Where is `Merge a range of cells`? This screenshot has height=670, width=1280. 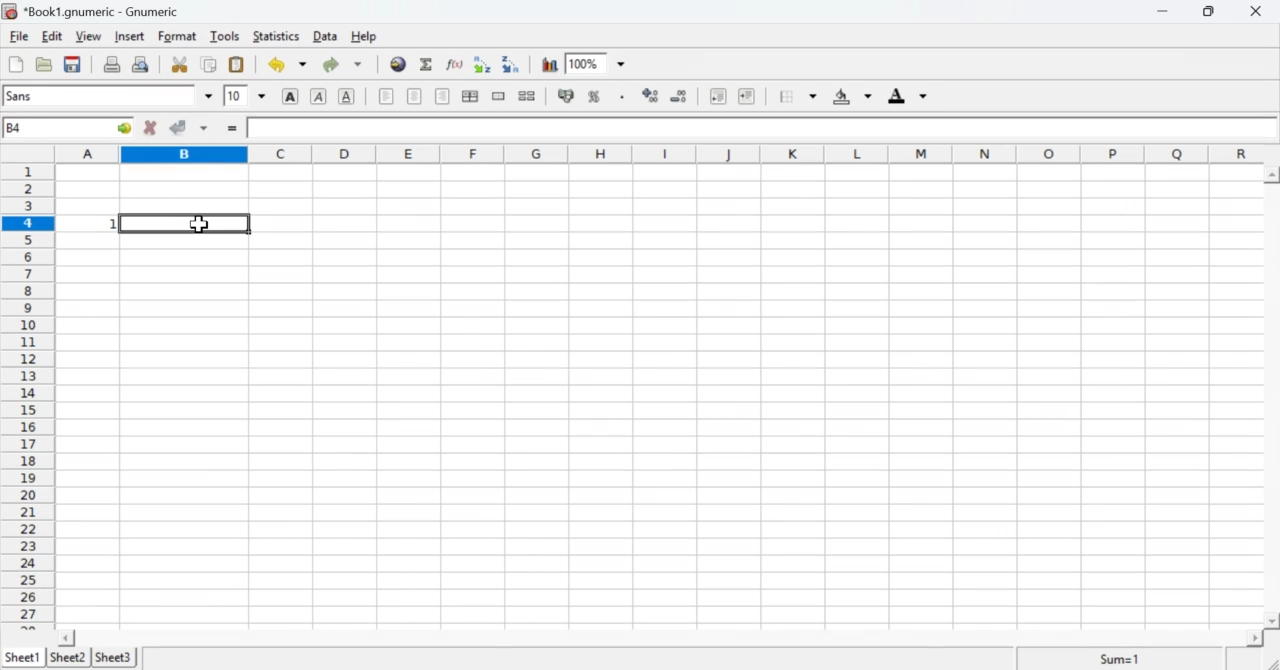 Merge a range of cells is located at coordinates (498, 96).